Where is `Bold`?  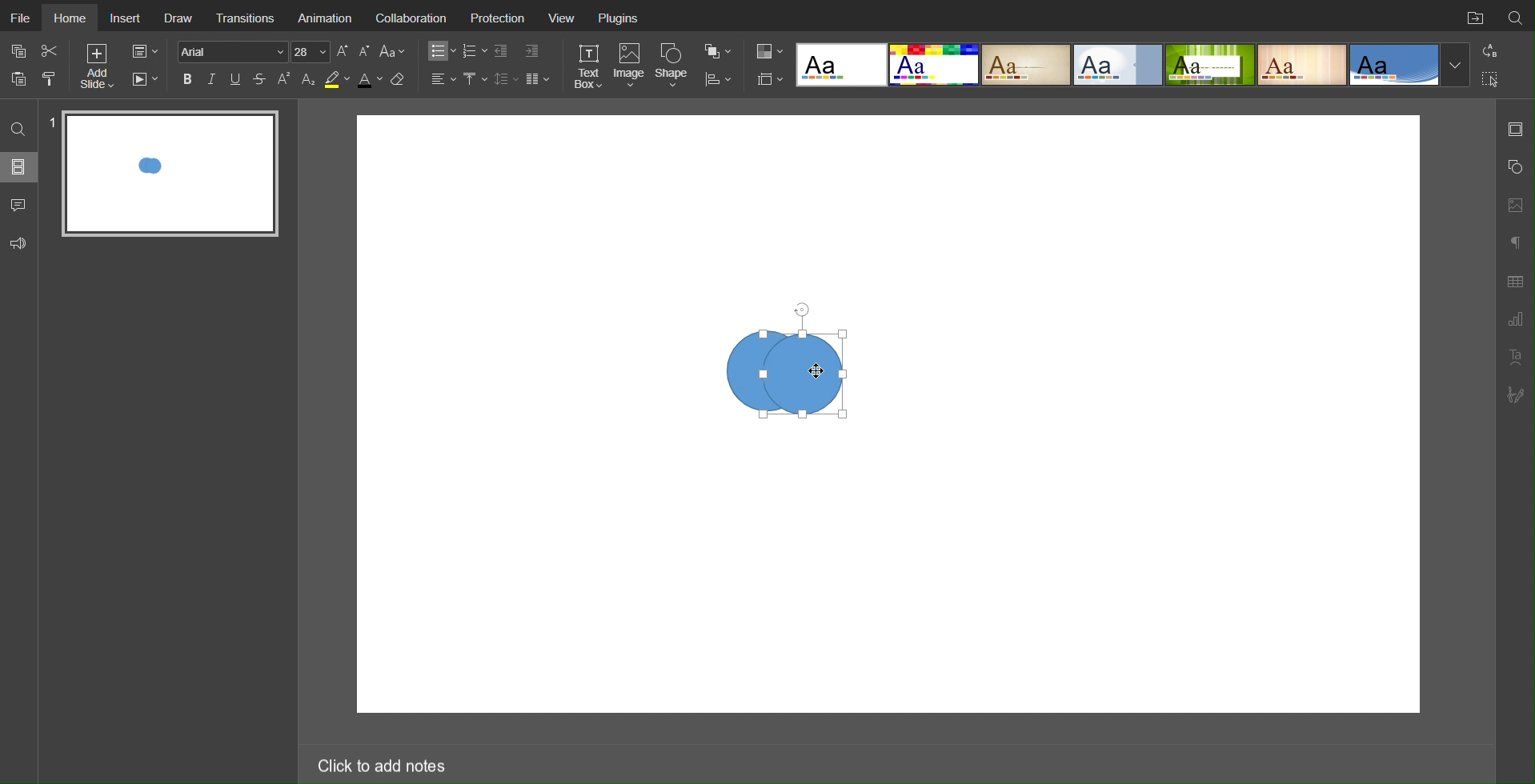 Bold is located at coordinates (187, 78).